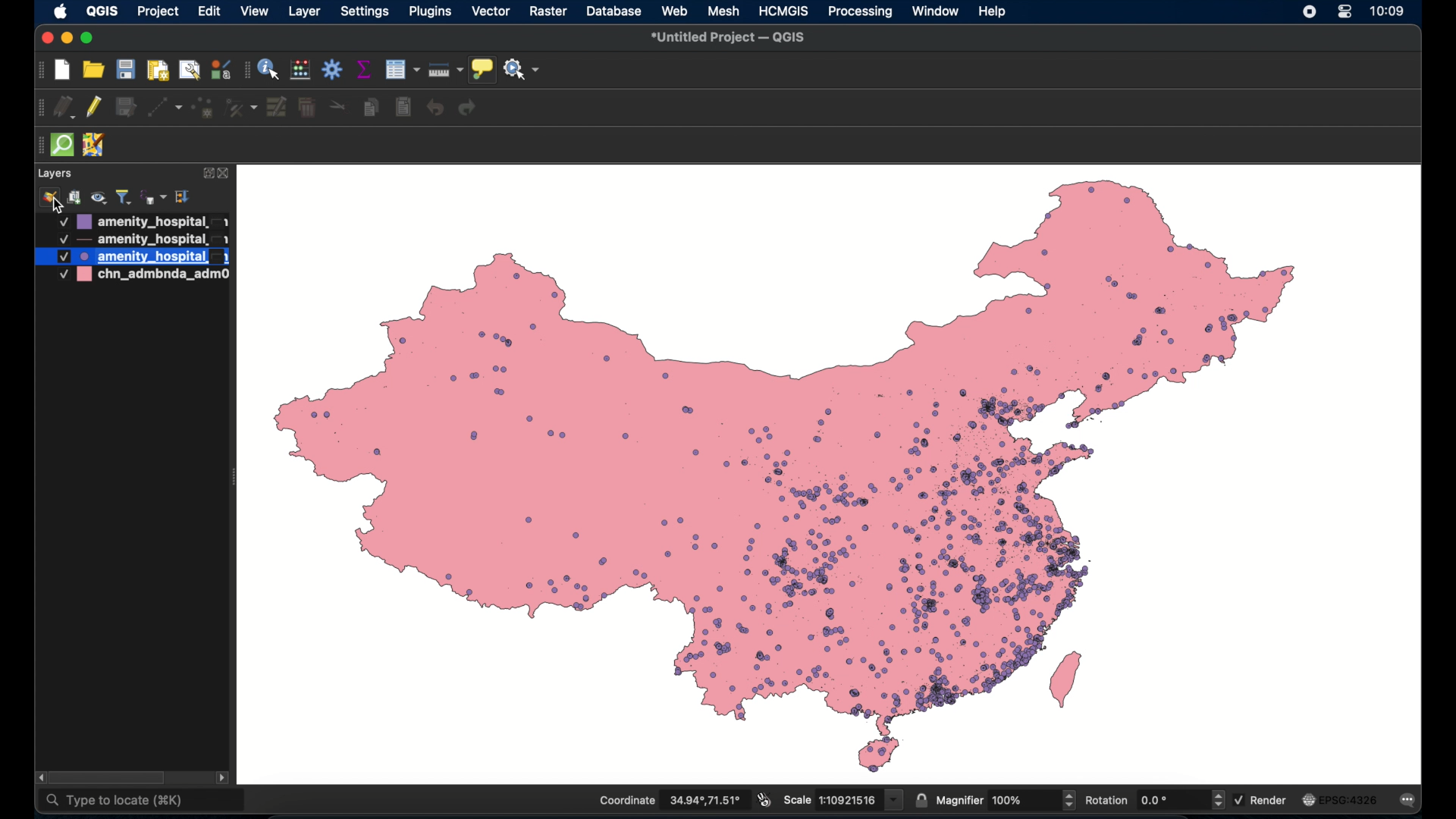  Describe the element at coordinates (725, 39) in the screenshot. I see `untitled project - QGIS` at that location.